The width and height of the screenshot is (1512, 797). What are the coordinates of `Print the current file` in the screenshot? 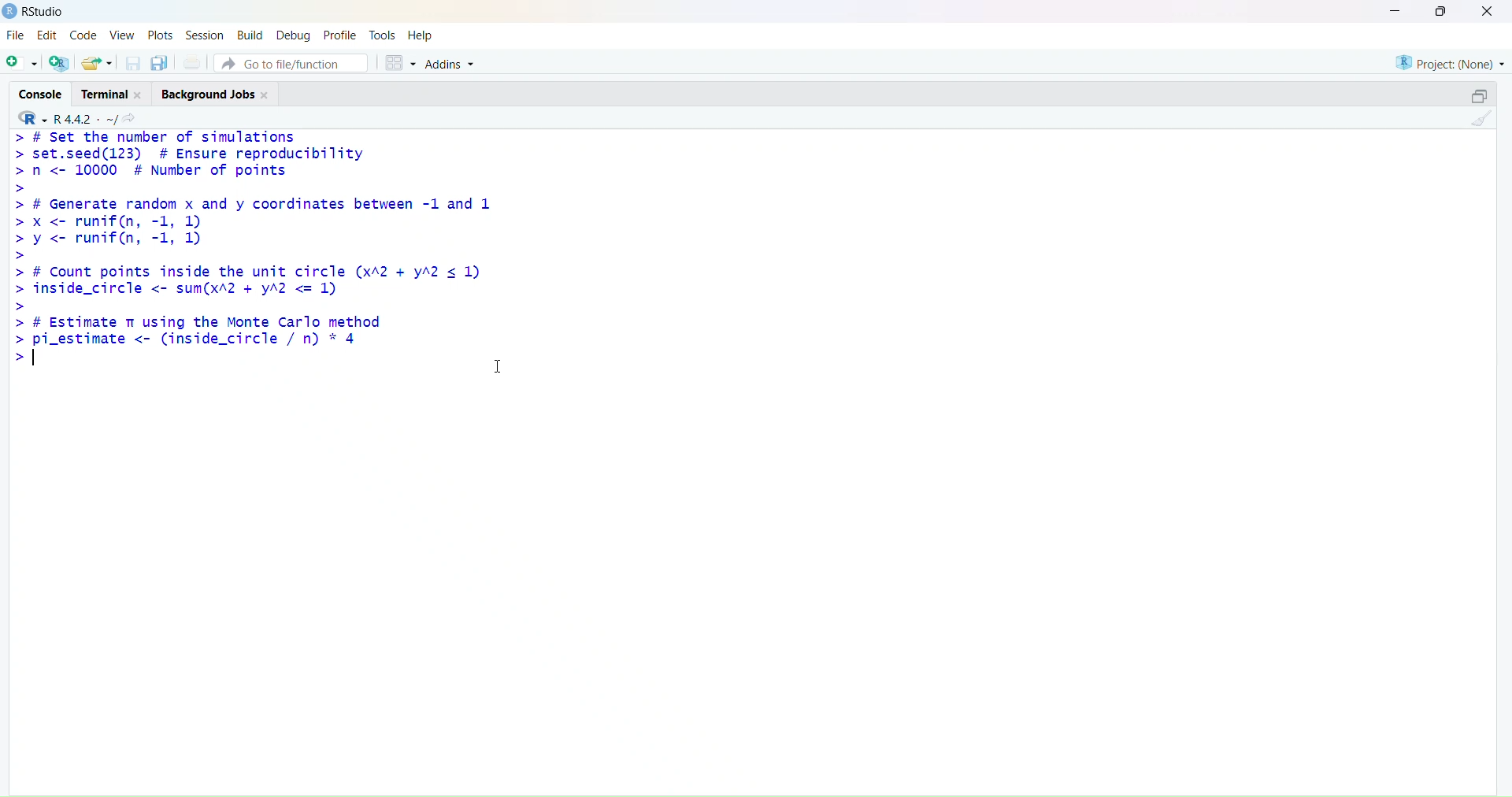 It's located at (195, 60).